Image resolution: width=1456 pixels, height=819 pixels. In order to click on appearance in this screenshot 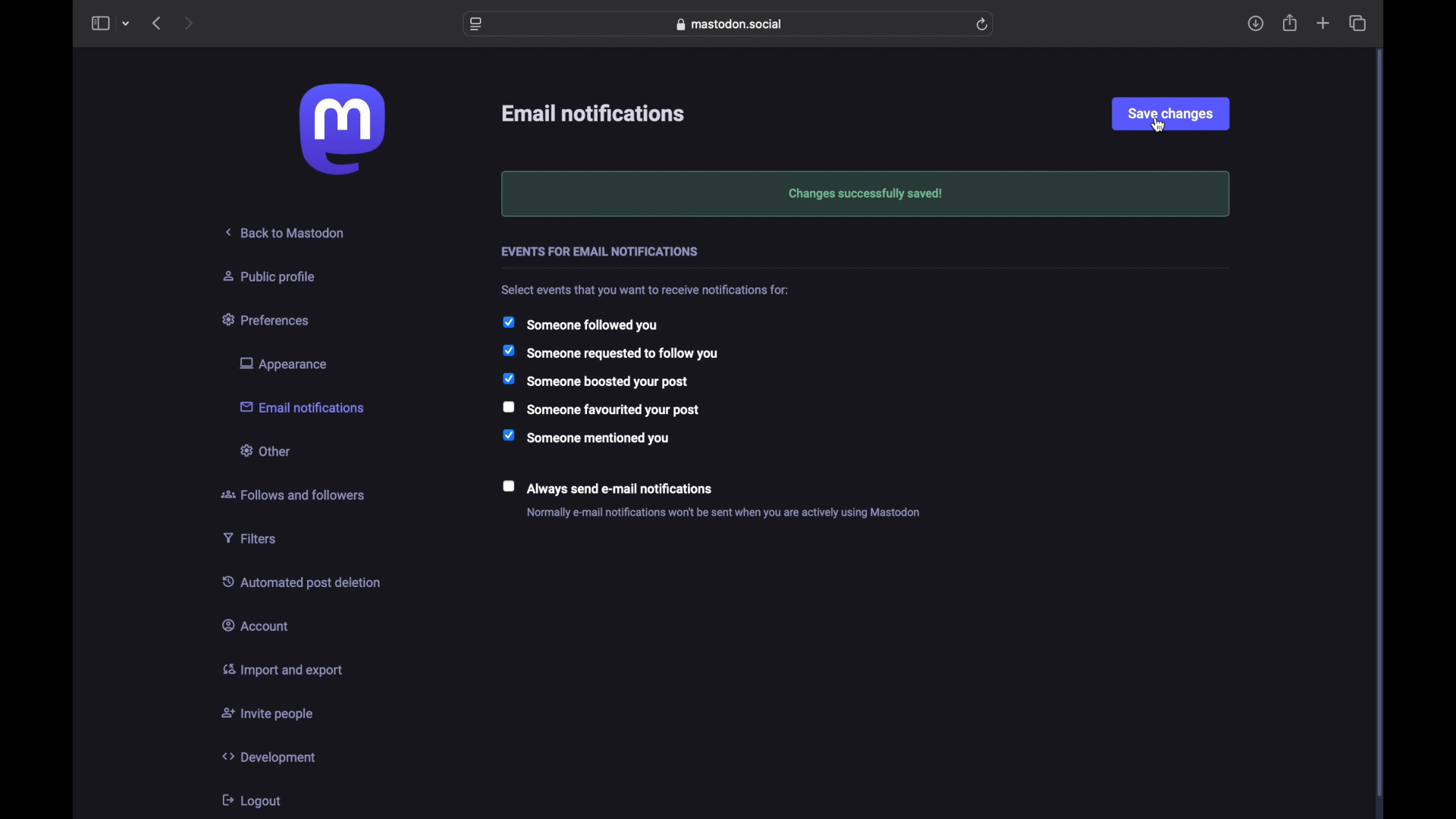, I will do `click(282, 364)`.